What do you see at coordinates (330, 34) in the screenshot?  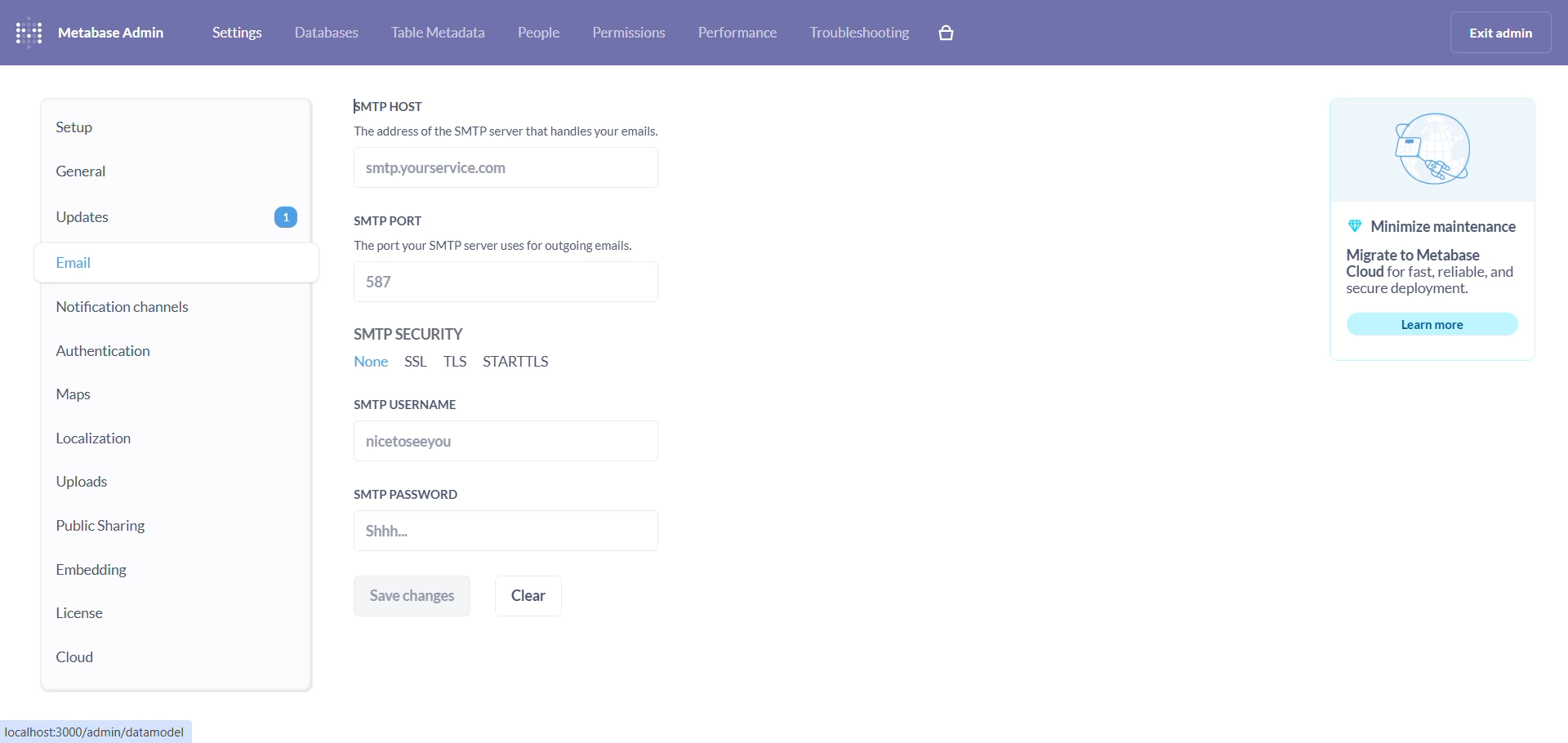 I see `databases` at bounding box center [330, 34].